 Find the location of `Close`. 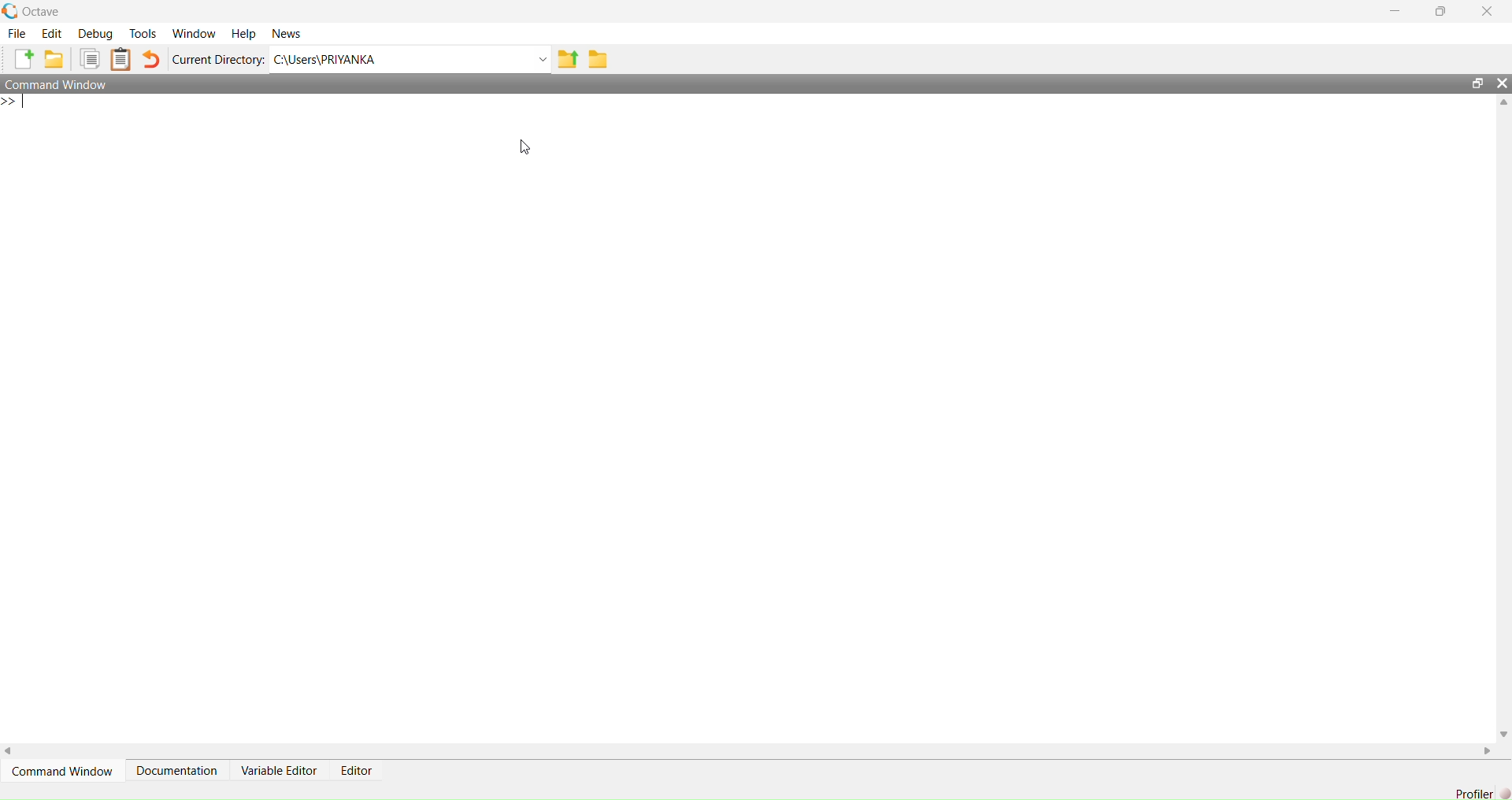

Close is located at coordinates (1499, 85).